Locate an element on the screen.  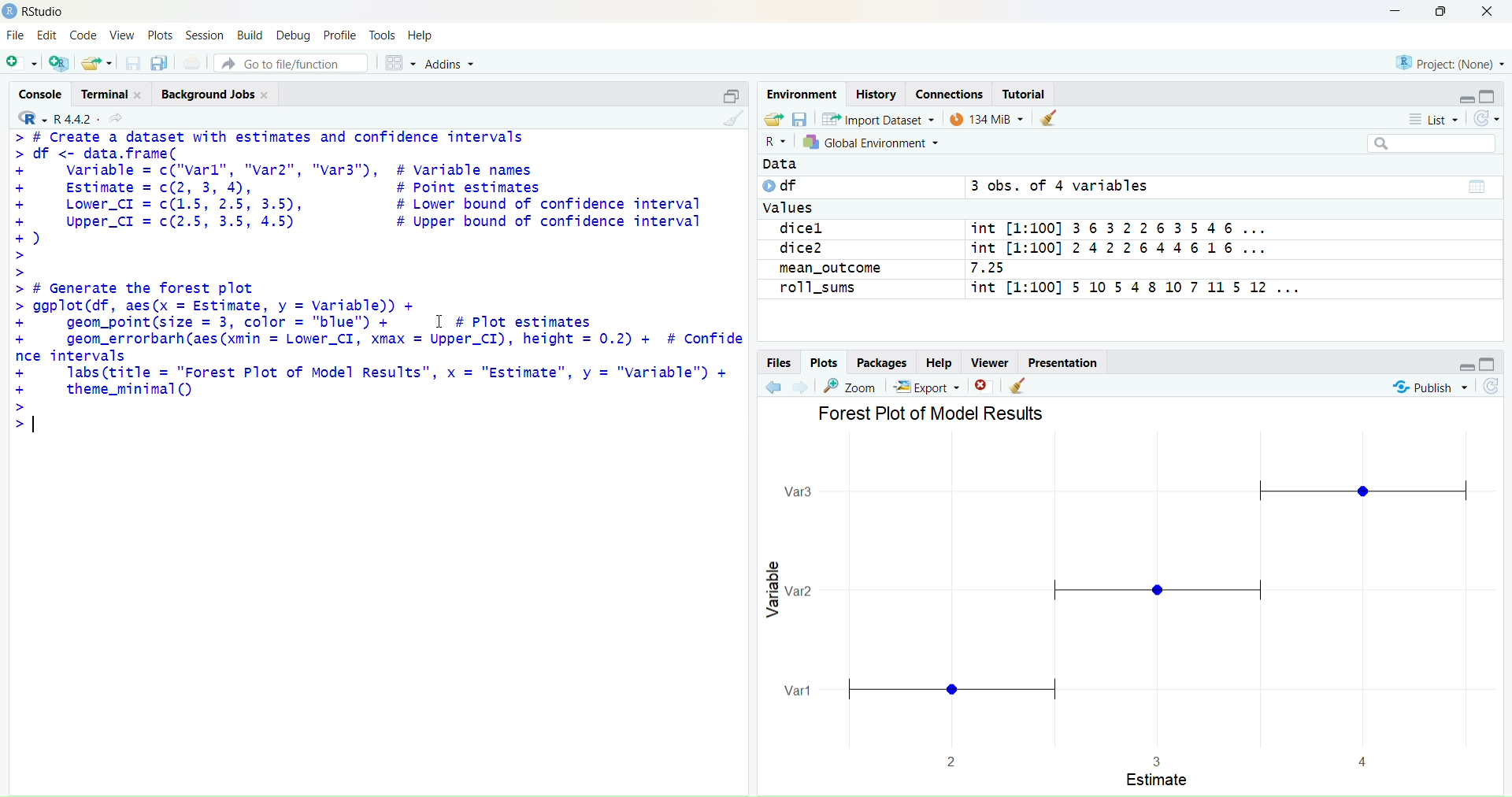
Tutorial is located at coordinates (1025, 94).